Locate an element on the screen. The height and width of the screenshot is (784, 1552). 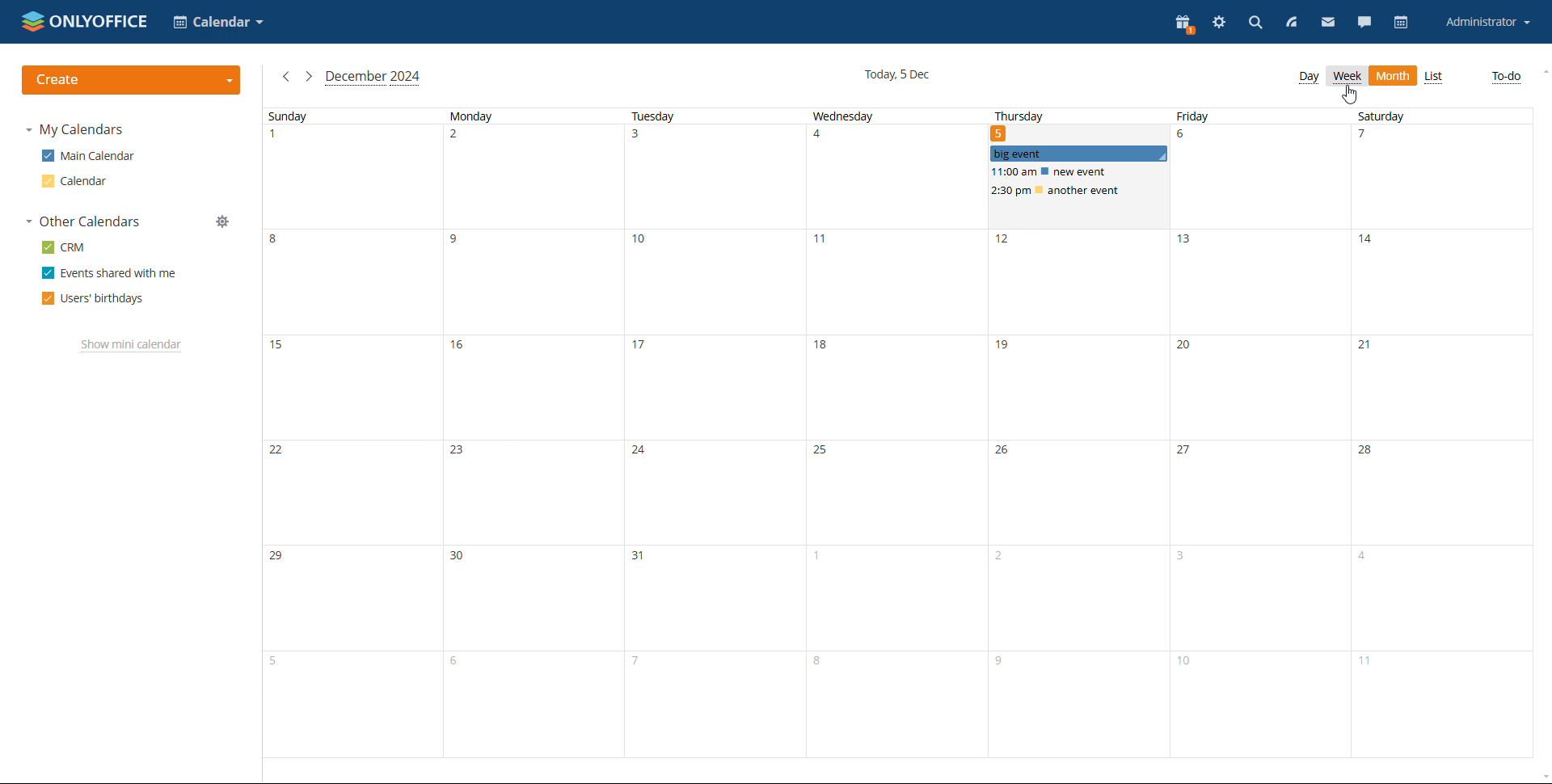
sunday is located at coordinates (349, 432).